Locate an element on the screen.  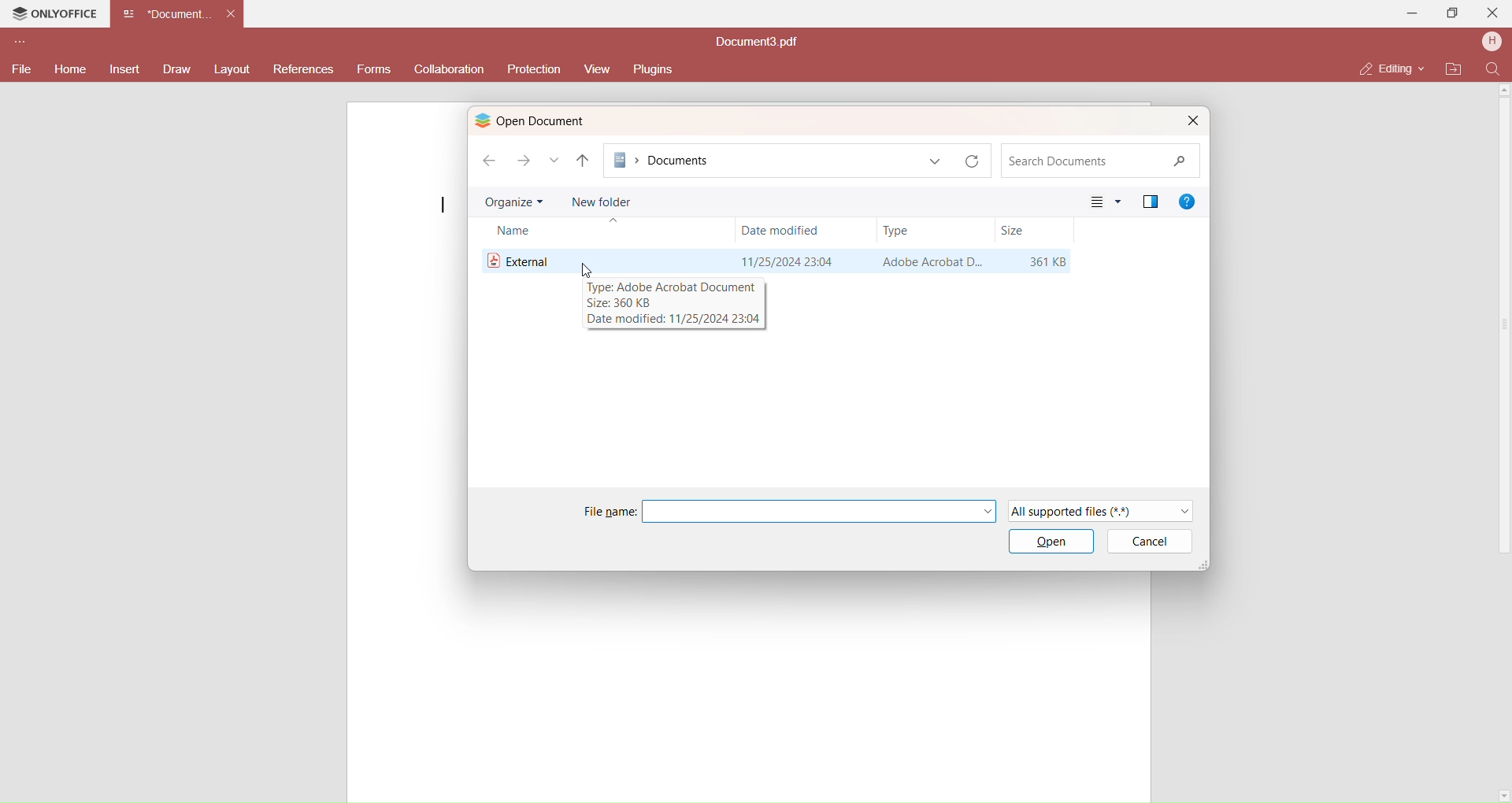
Drop Down is located at coordinates (1424, 67).